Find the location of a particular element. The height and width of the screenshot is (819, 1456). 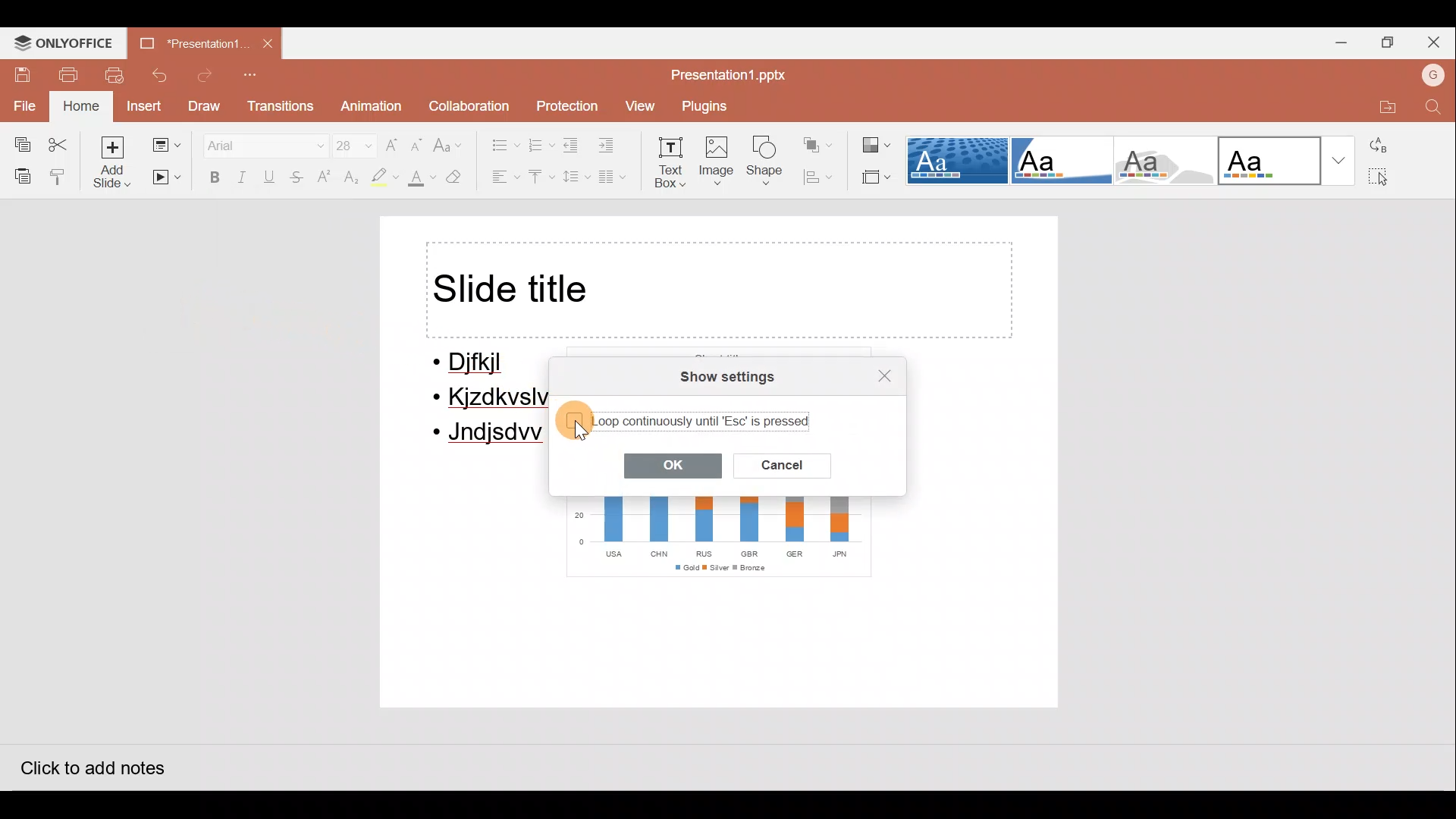

Shape is located at coordinates (765, 163).